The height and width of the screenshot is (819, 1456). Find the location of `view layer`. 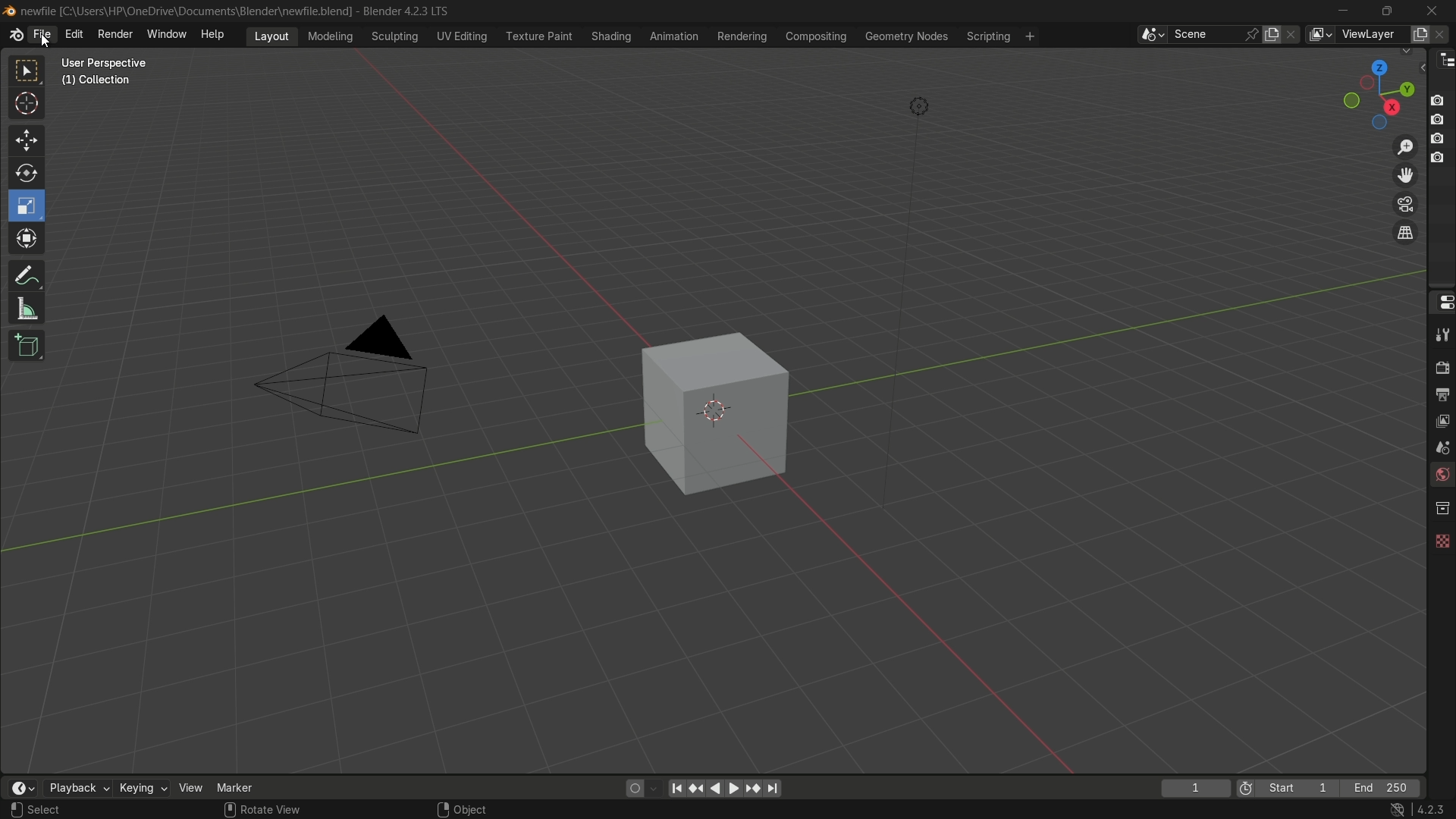

view layer is located at coordinates (1319, 34).